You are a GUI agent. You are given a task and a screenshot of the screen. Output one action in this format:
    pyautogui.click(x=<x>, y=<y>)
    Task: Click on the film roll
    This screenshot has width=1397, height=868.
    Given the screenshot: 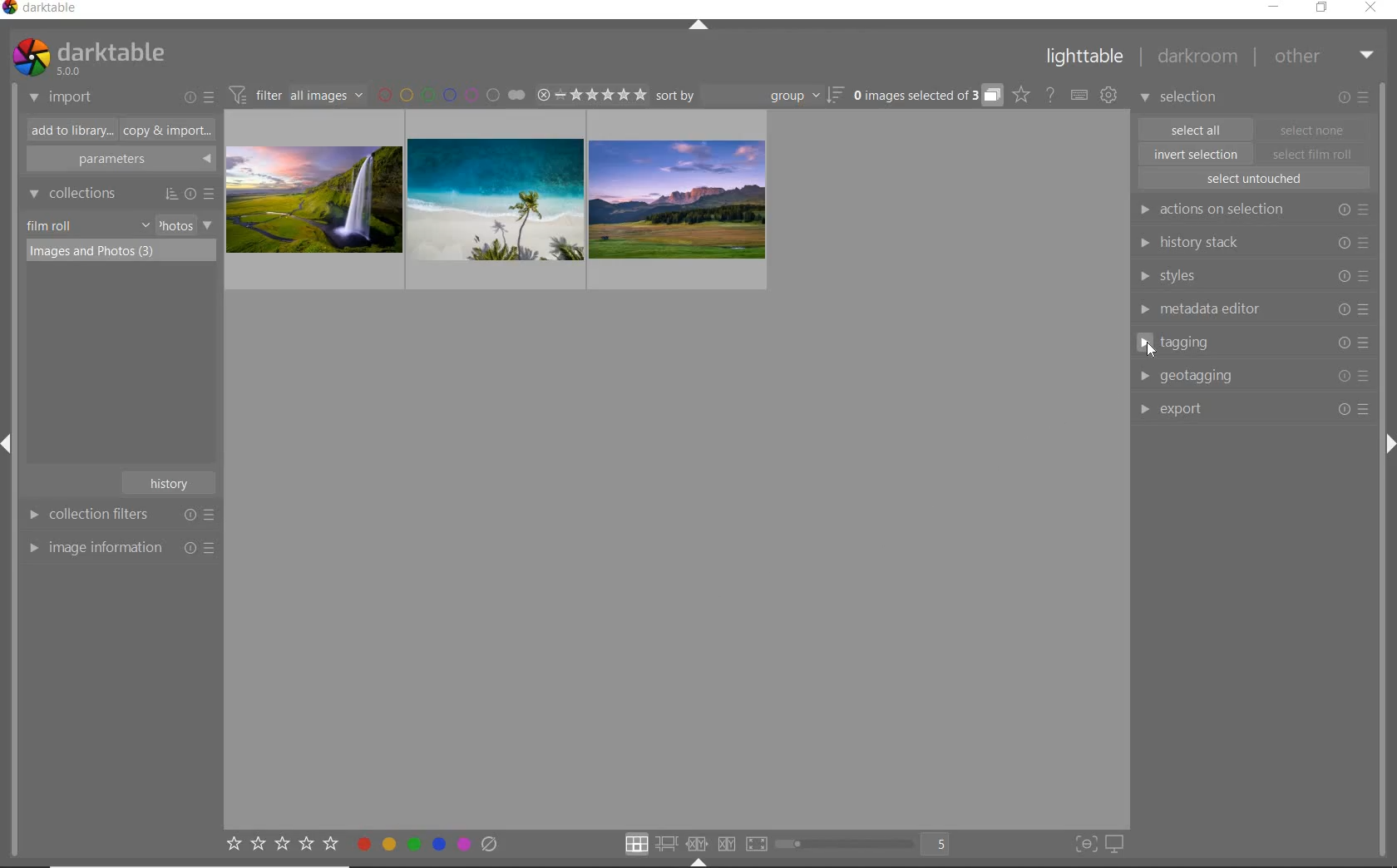 What is the action you would take?
    pyautogui.click(x=51, y=225)
    